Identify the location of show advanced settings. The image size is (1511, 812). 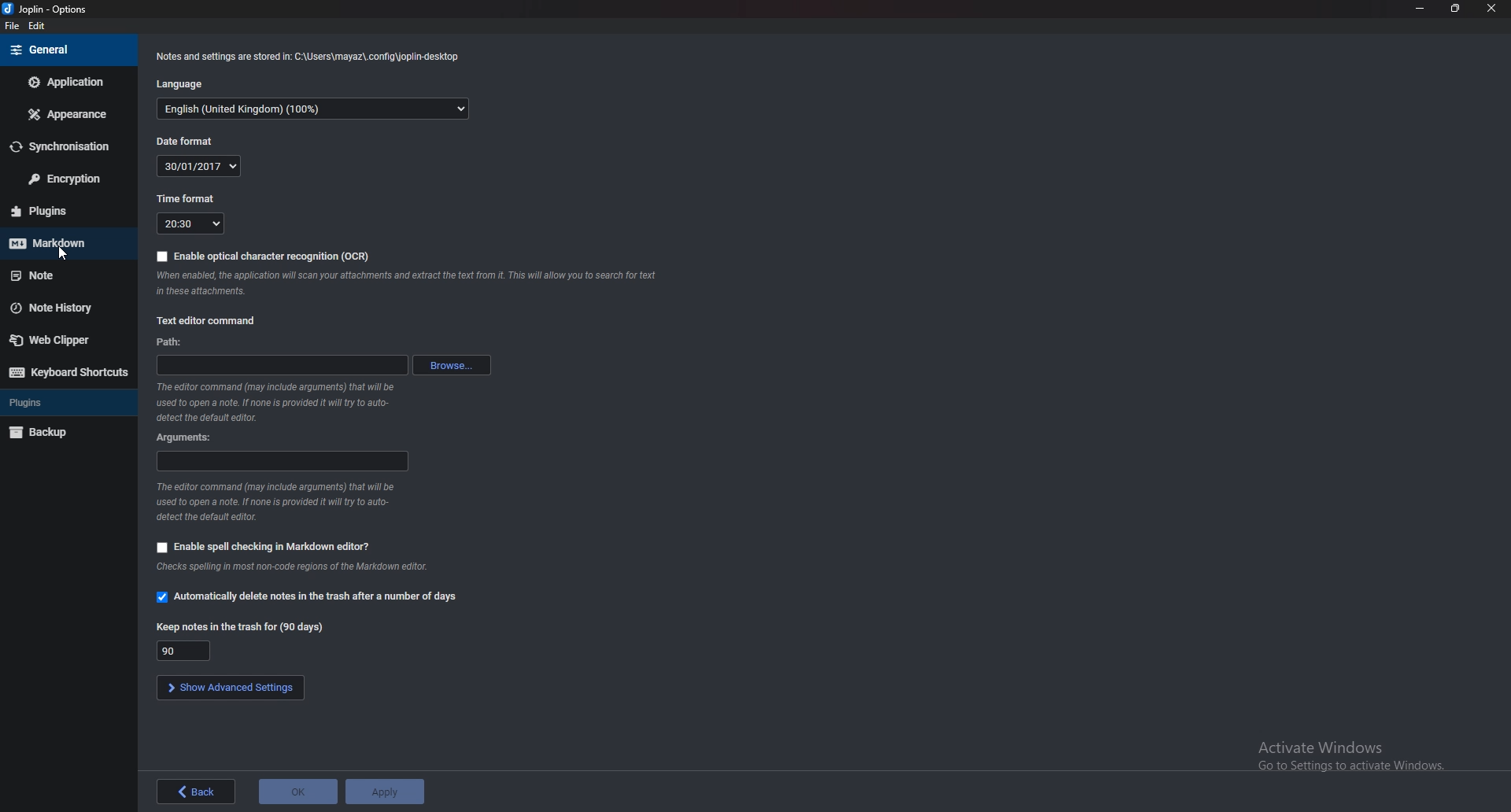
(227, 688).